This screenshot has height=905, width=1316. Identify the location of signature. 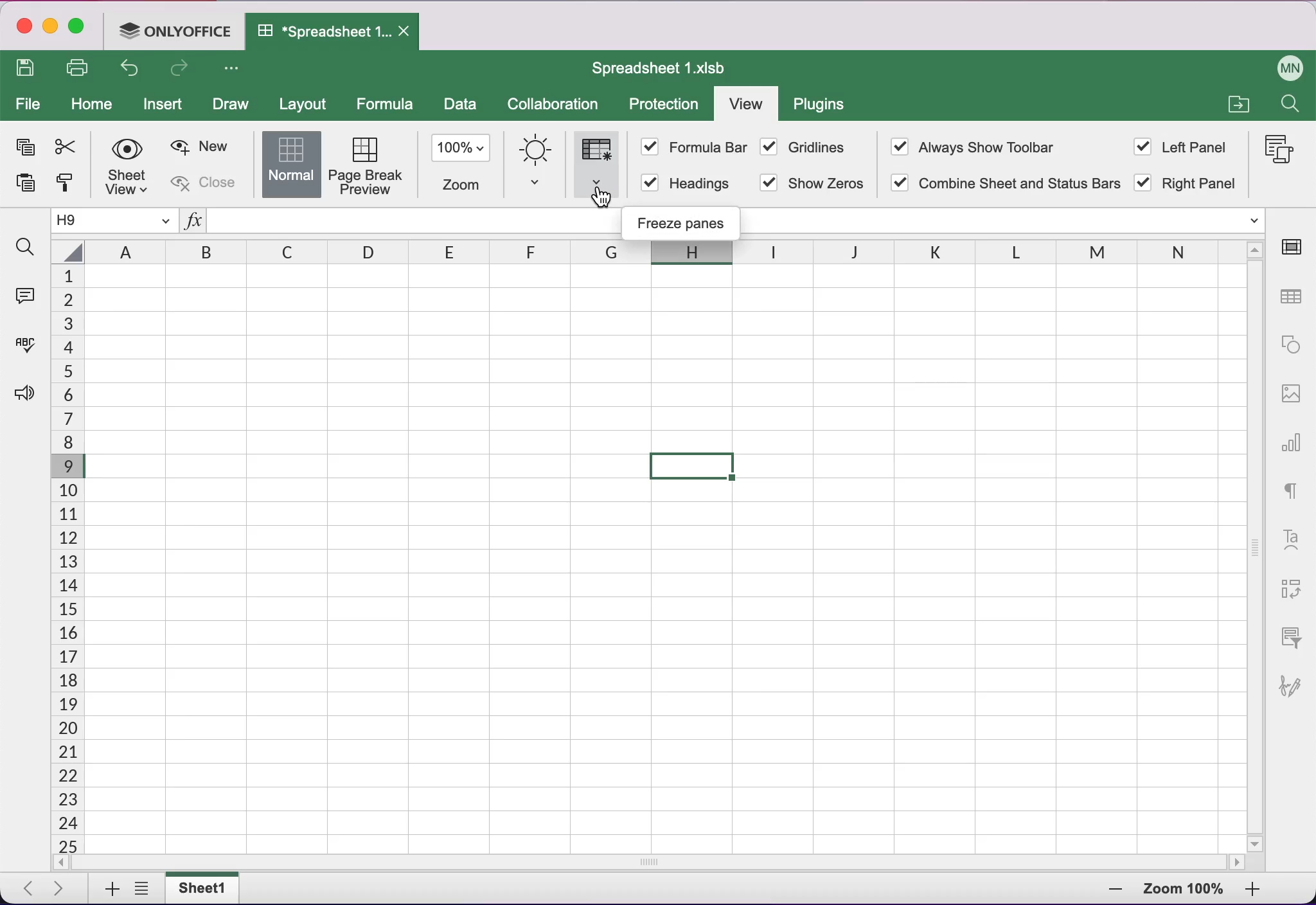
(1295, 695).